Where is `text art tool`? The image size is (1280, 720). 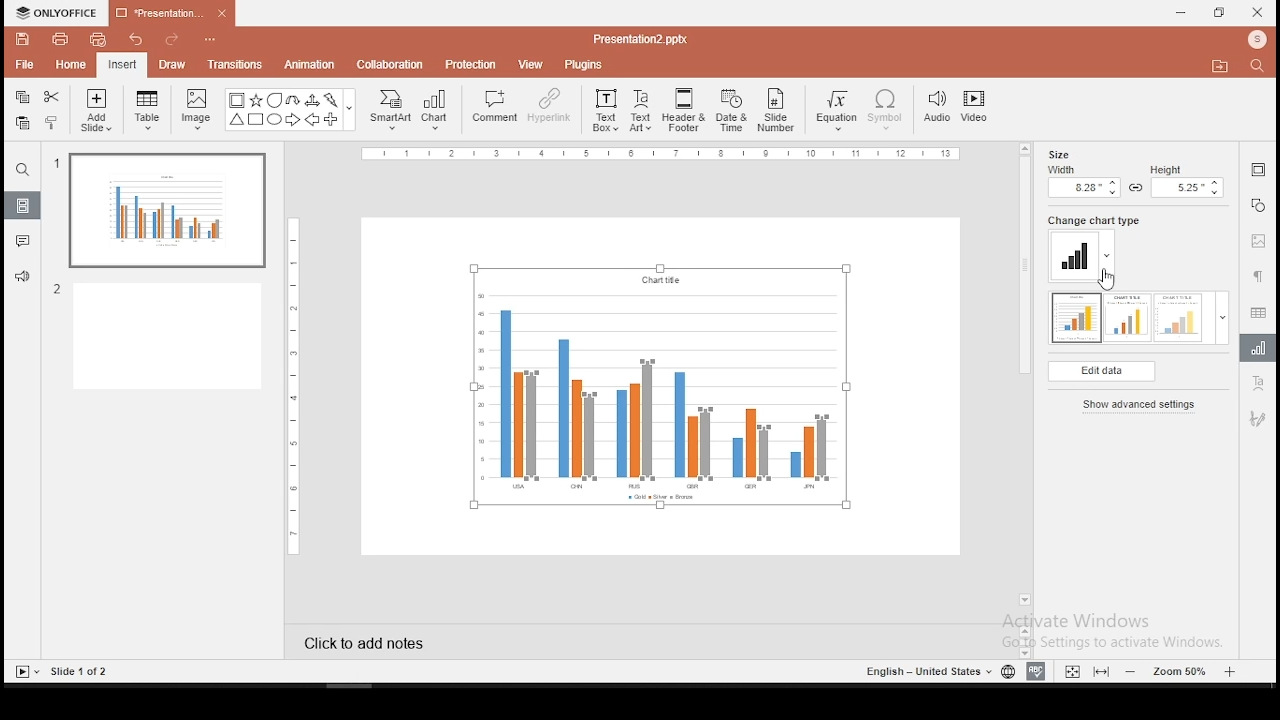 text art tool is located at coordinates (1257, 382).